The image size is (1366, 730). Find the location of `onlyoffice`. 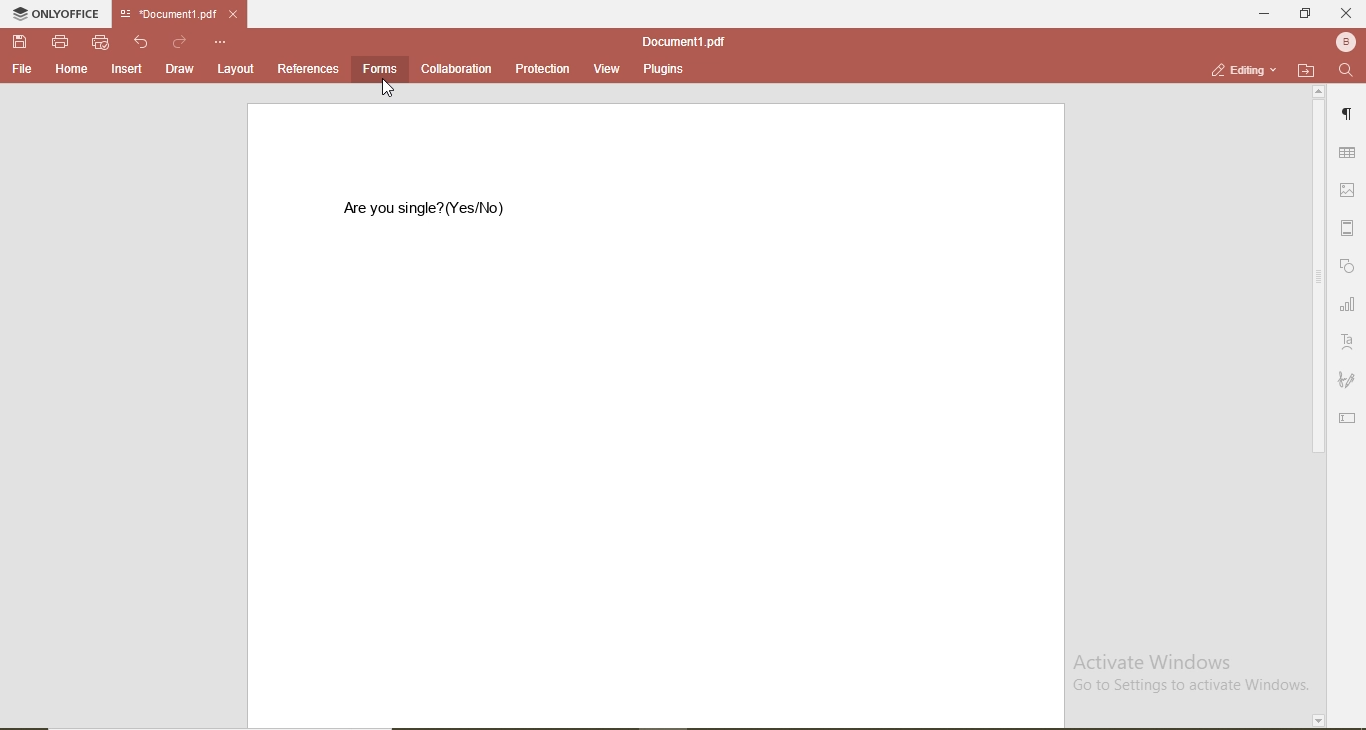

onlyoffice is located at coordinates (55, 13).